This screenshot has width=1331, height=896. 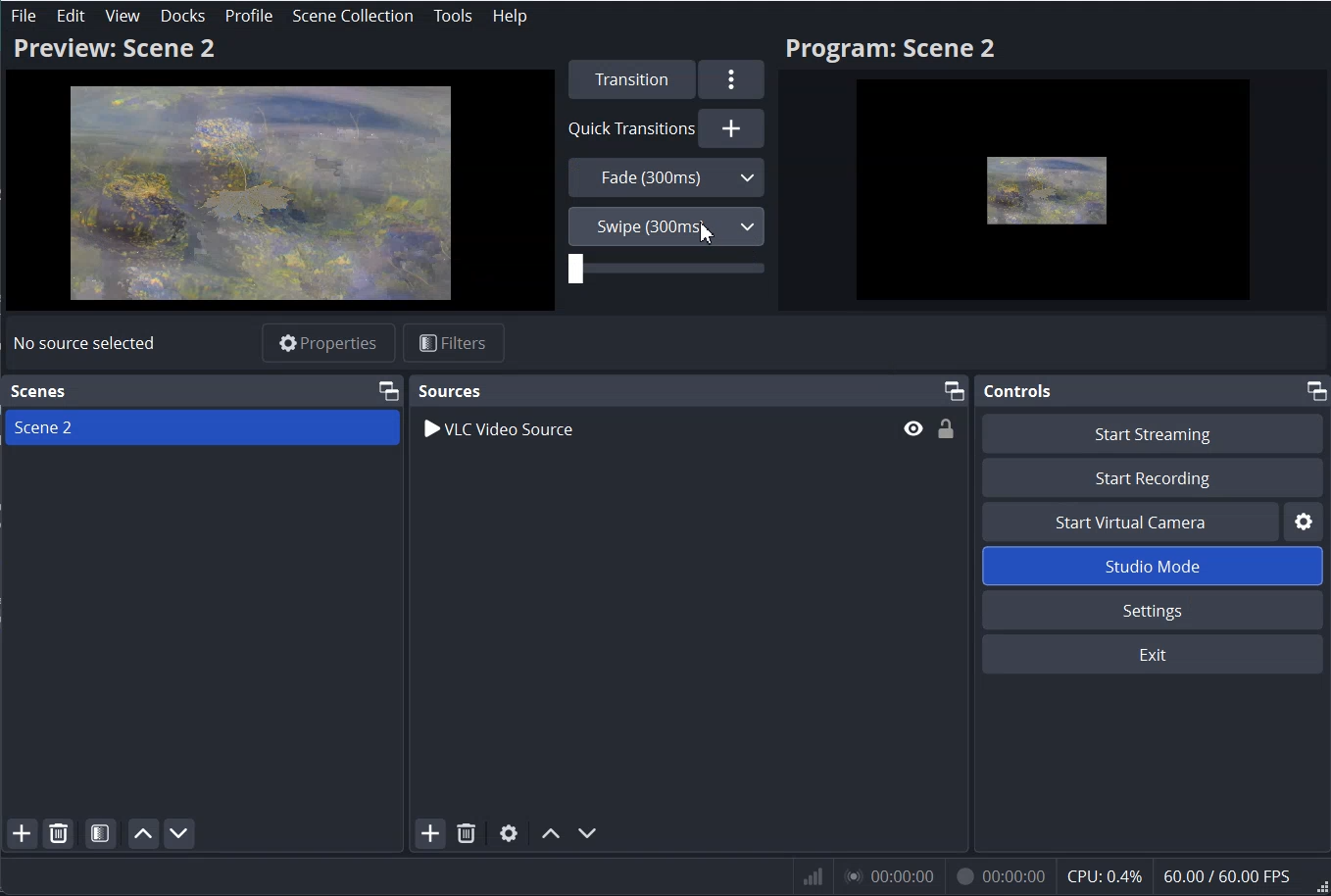 I want to click on More, so click(x=733, y=79).